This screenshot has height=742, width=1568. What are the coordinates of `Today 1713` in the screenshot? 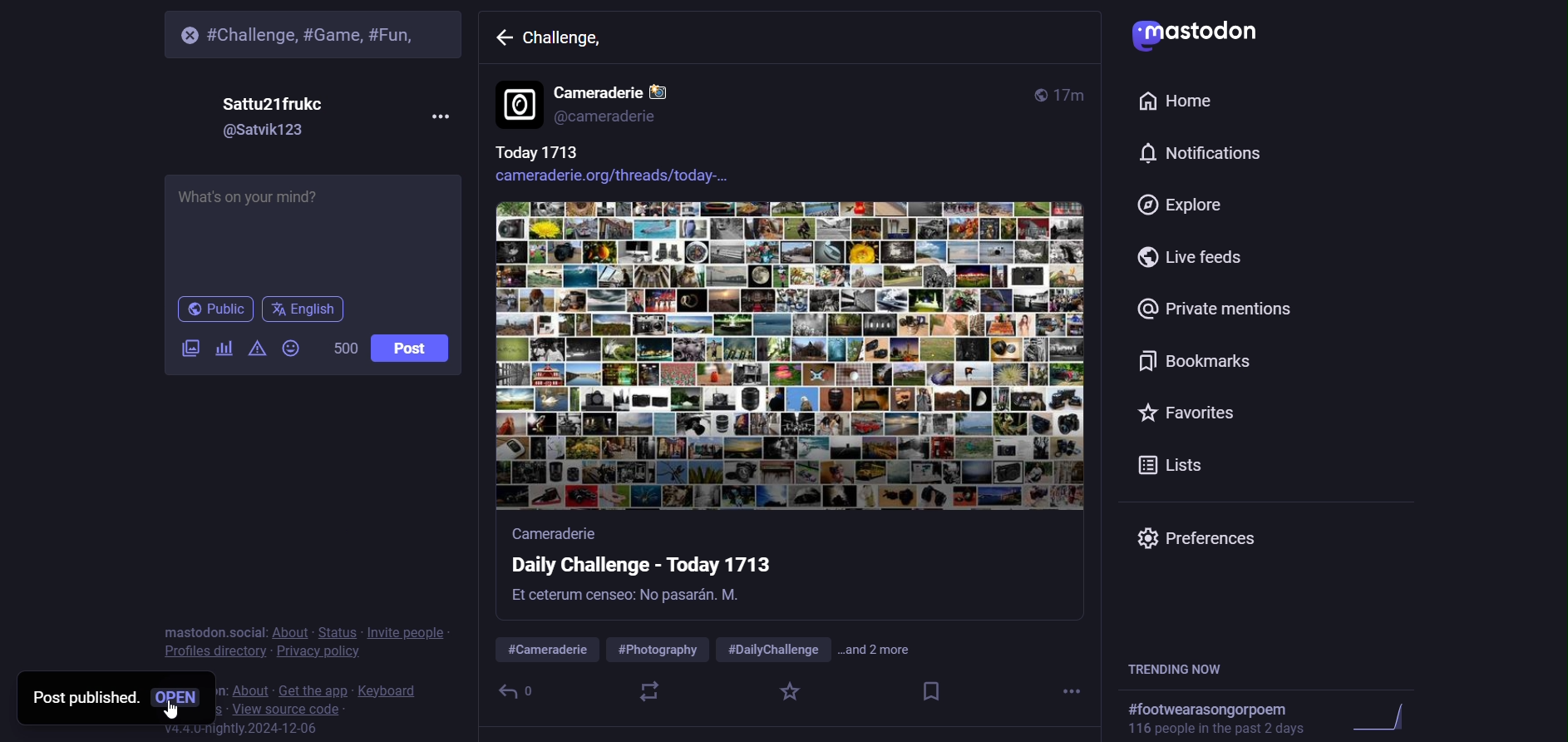 It's located at (533, 152).